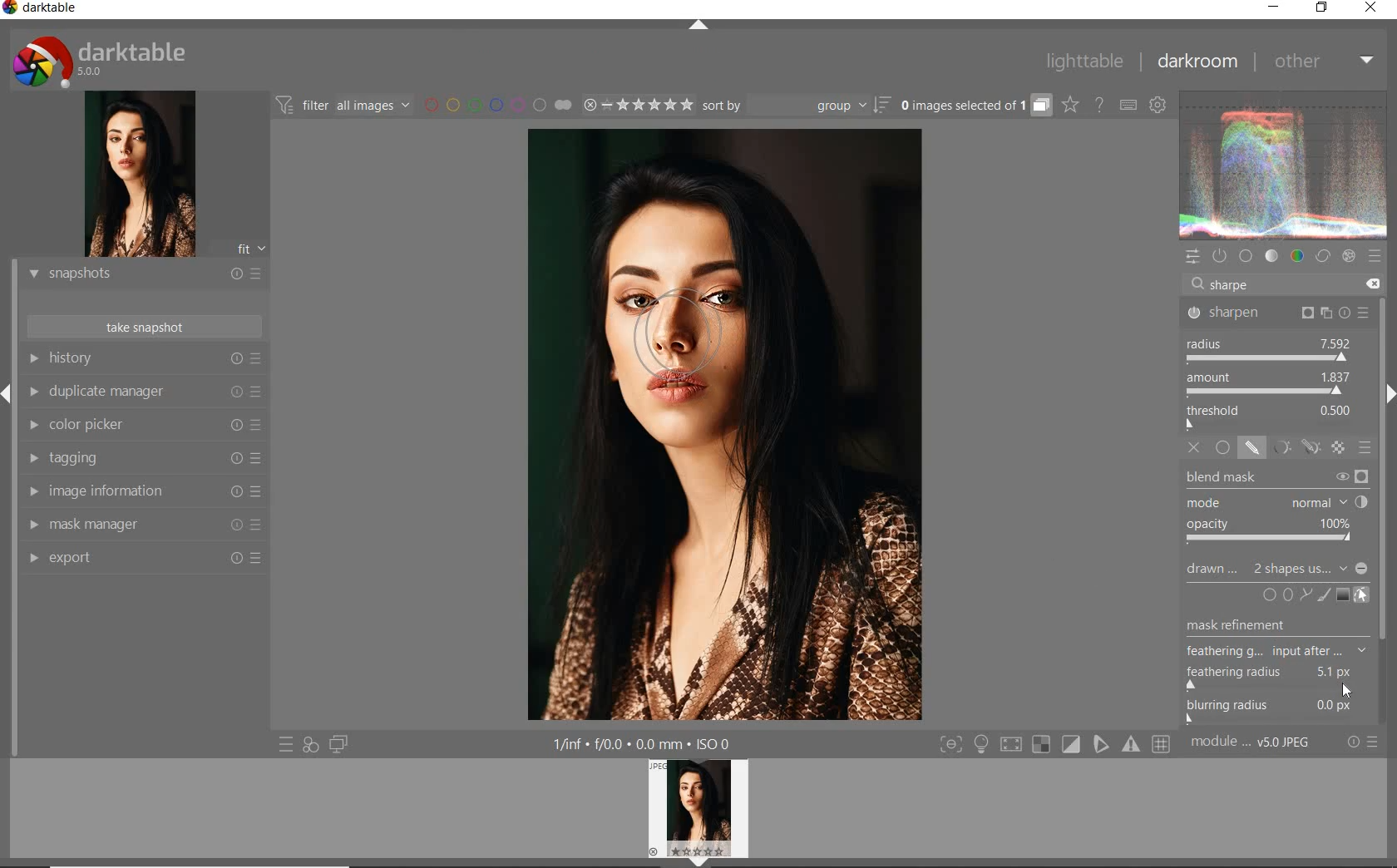  Describe the element at coordinates (975, 106) in the screenshot. I see `expand grouped images` at that location.